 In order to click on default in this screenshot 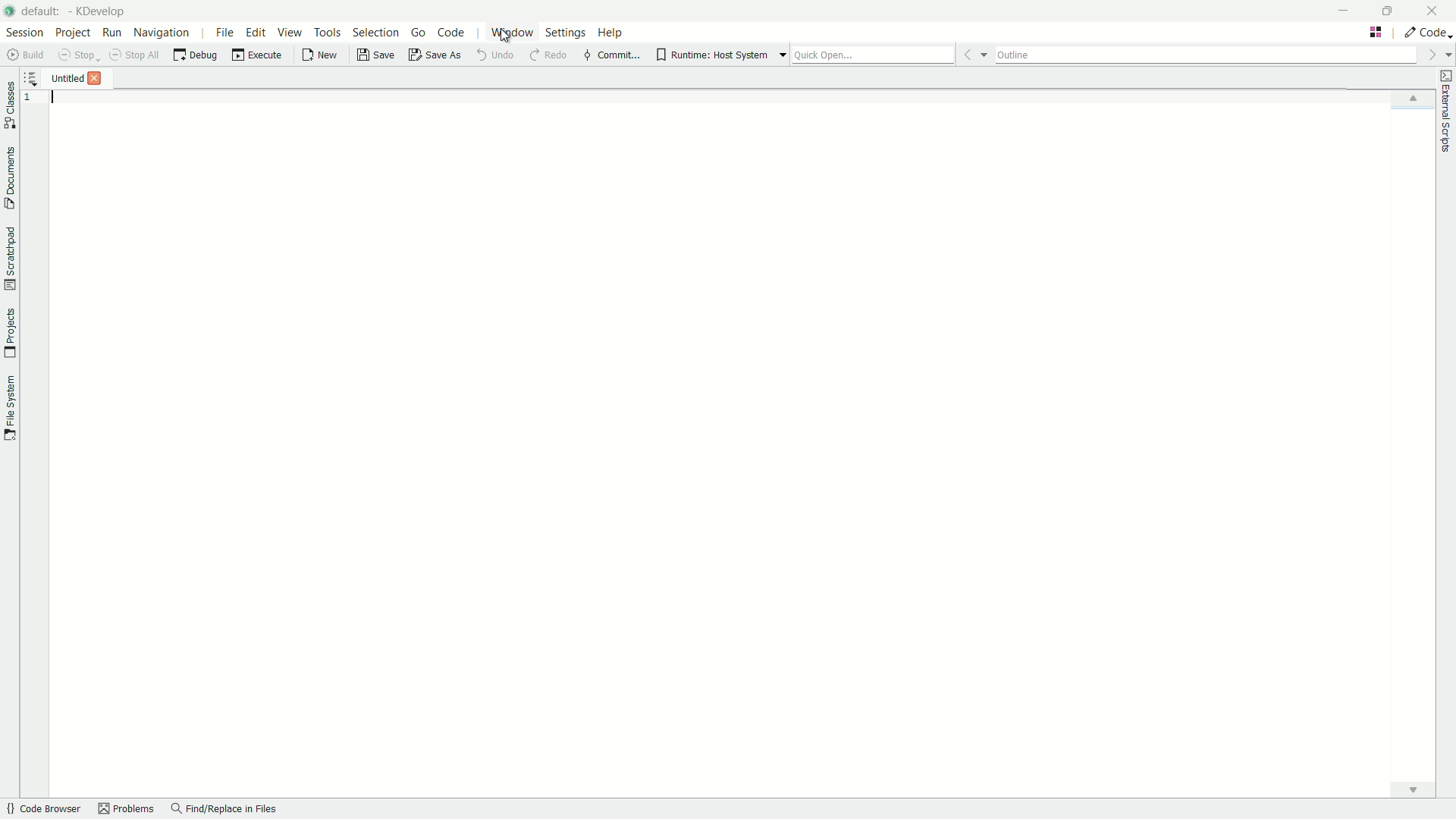, I will do `click(45, 11)`.